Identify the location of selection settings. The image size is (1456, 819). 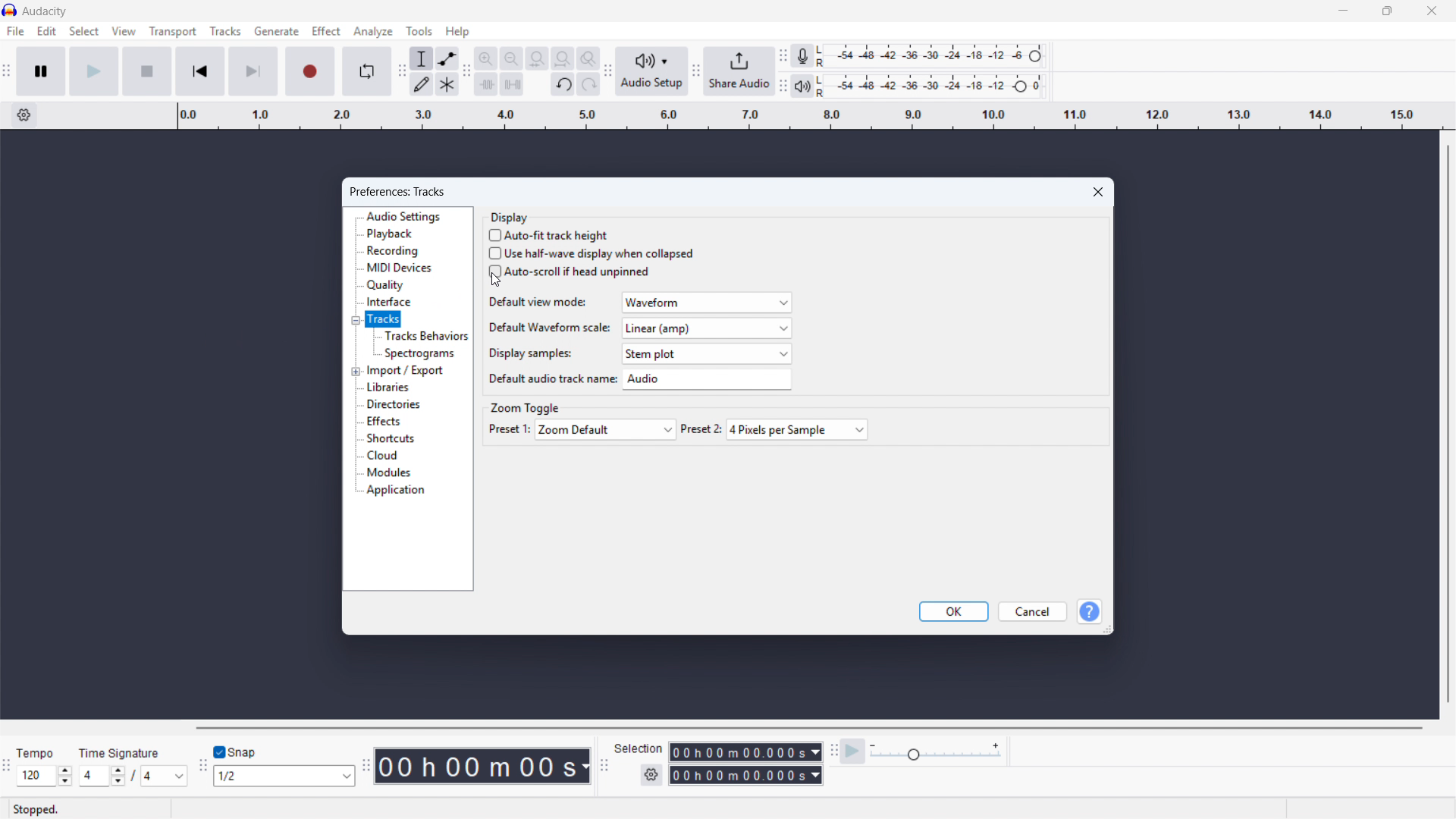
(652, 775).